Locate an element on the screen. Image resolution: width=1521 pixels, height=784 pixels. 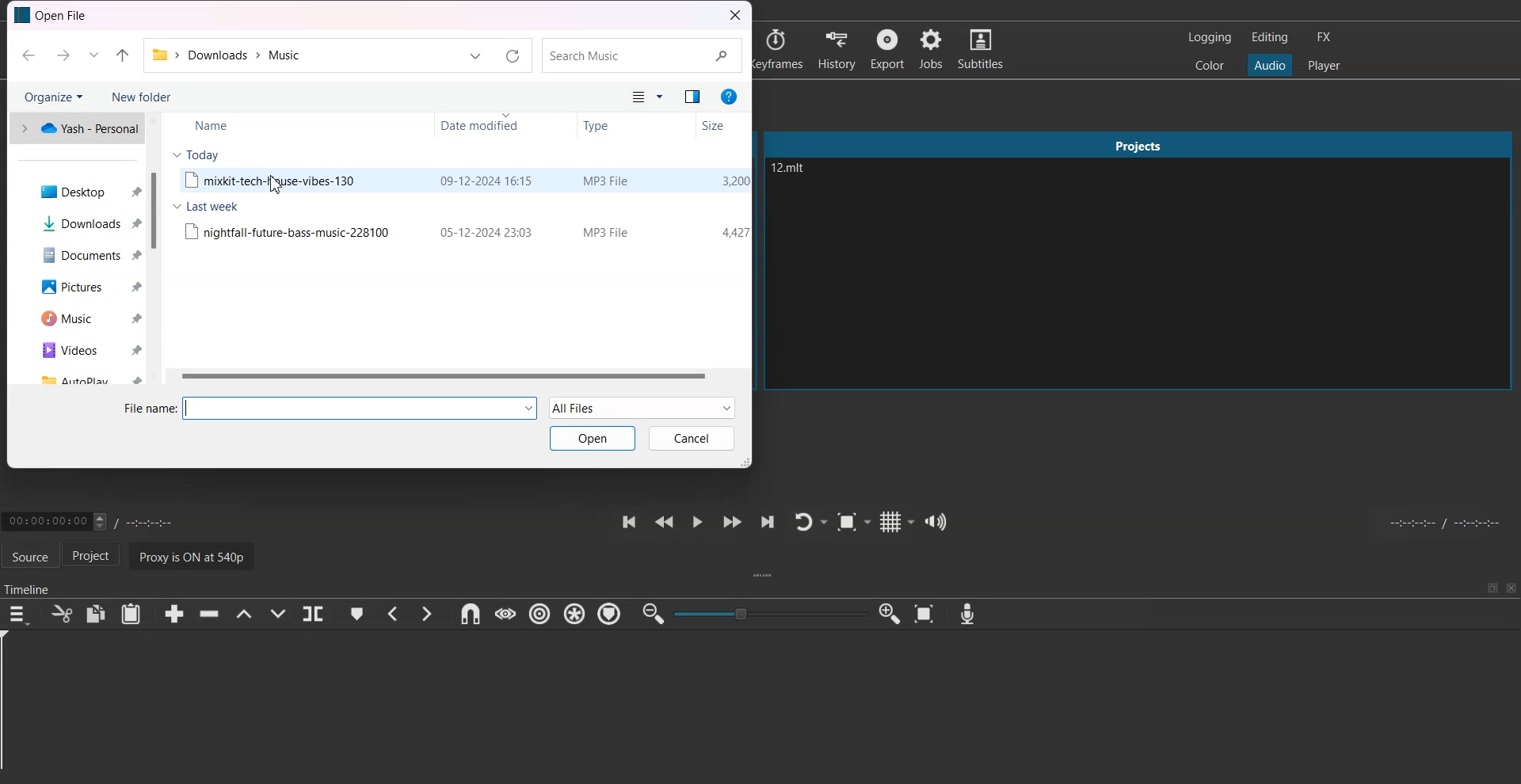
Timeline is located at coordinates (29, 585).